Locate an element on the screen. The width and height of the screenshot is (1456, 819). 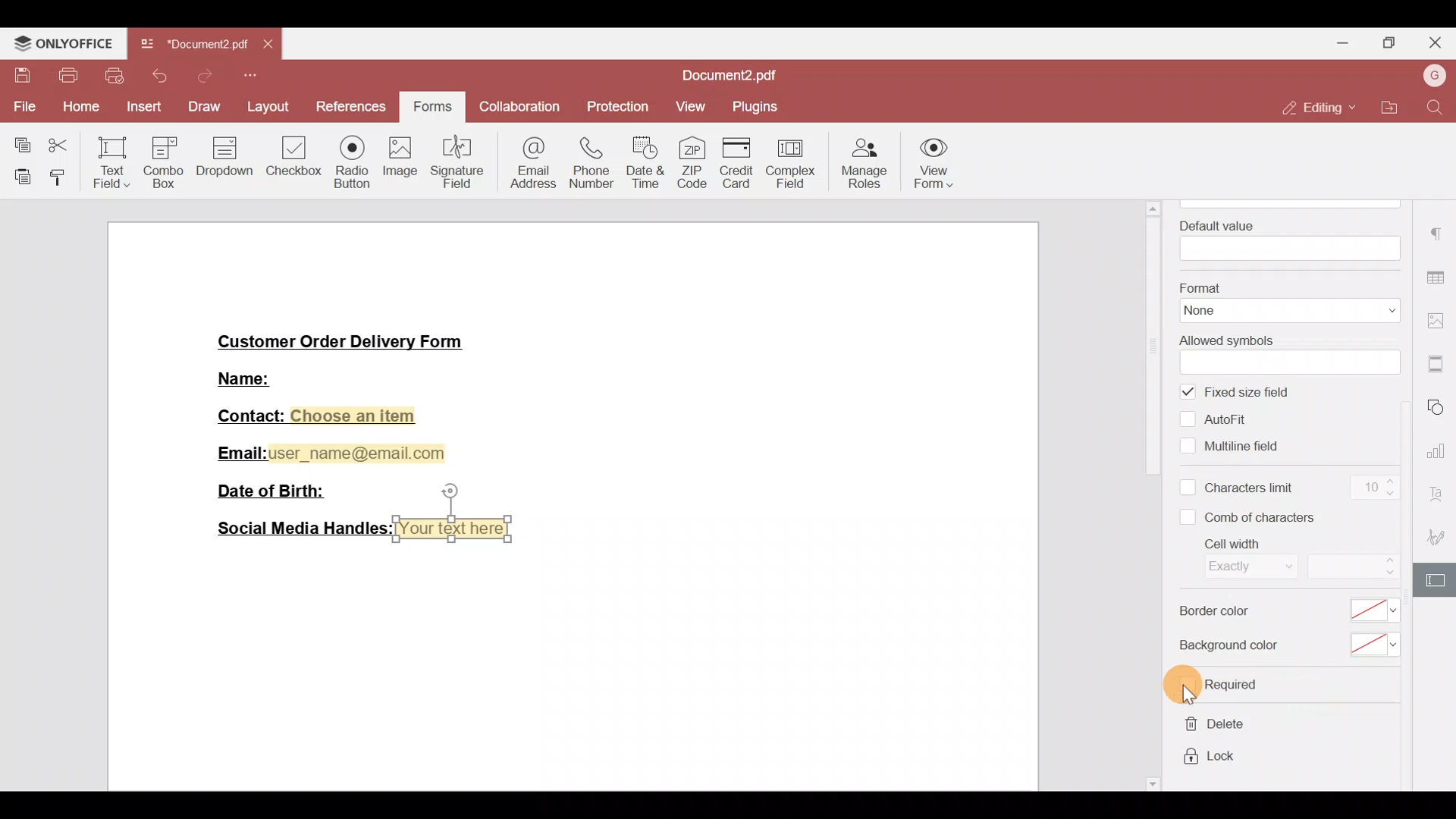
Required is located at coordinates (1222, 686).